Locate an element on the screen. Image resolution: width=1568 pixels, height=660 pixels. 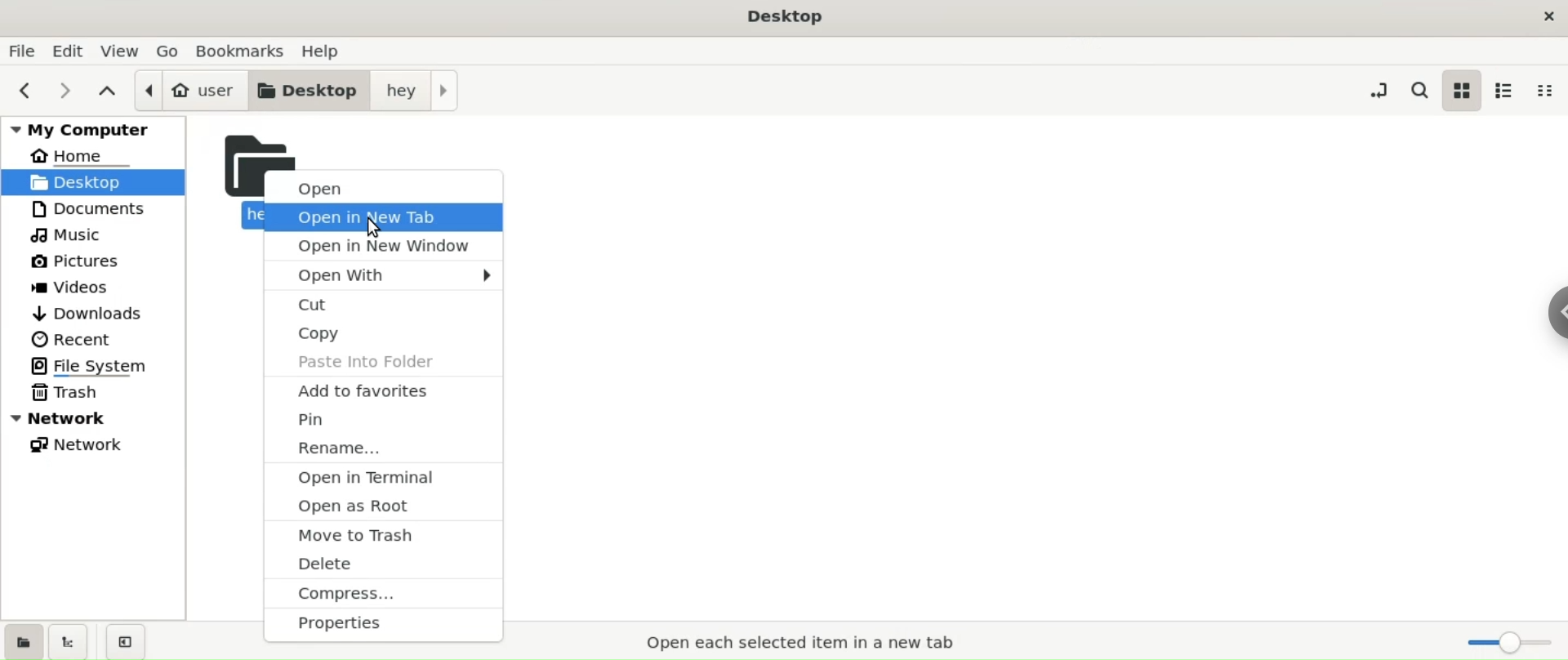
pictures is located at coordinates (100, 263).